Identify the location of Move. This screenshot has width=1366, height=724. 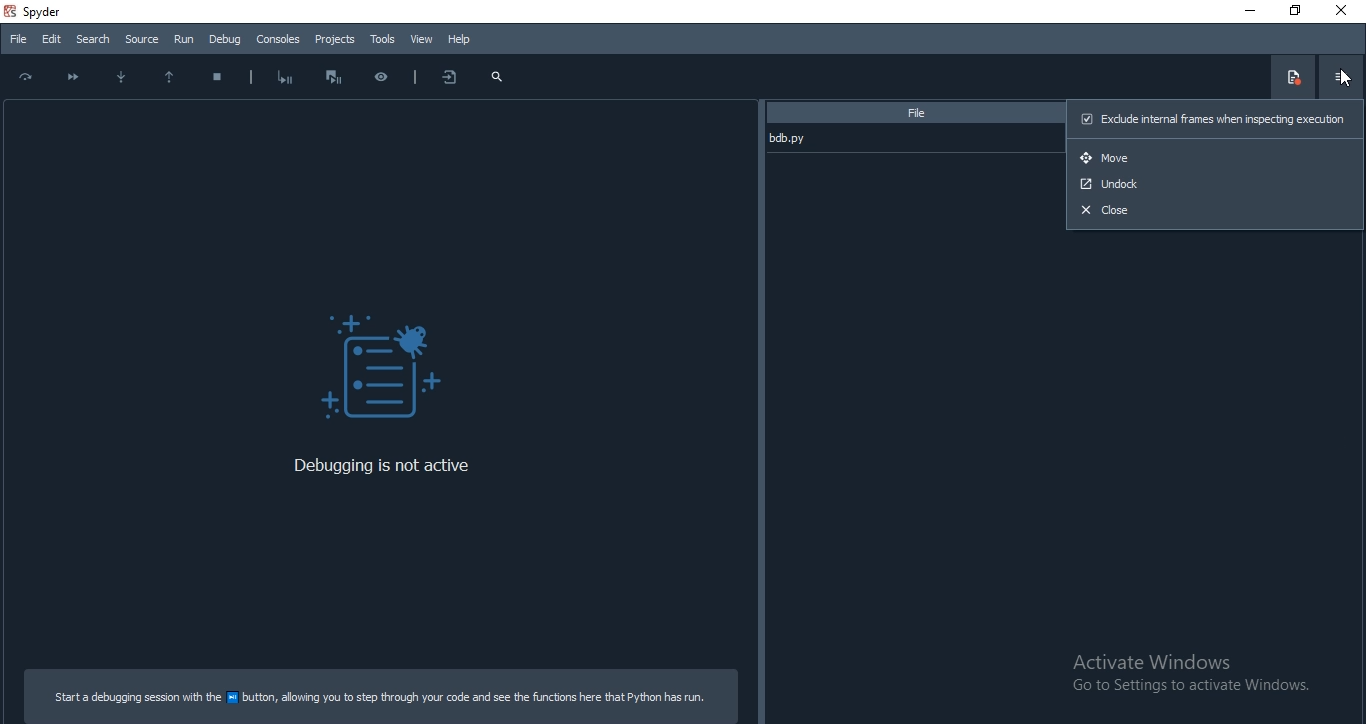
(1216, 157).